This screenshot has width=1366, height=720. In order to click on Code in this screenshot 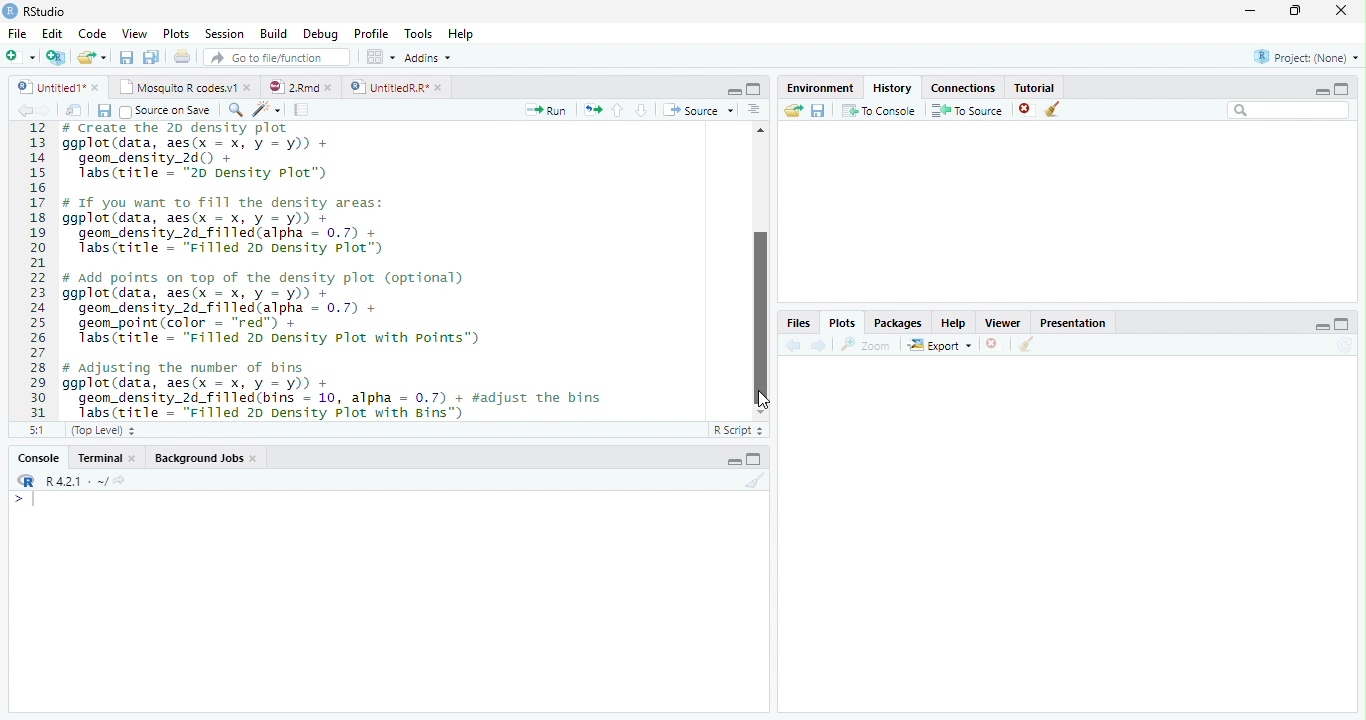, I will do `click(94, 35)`.